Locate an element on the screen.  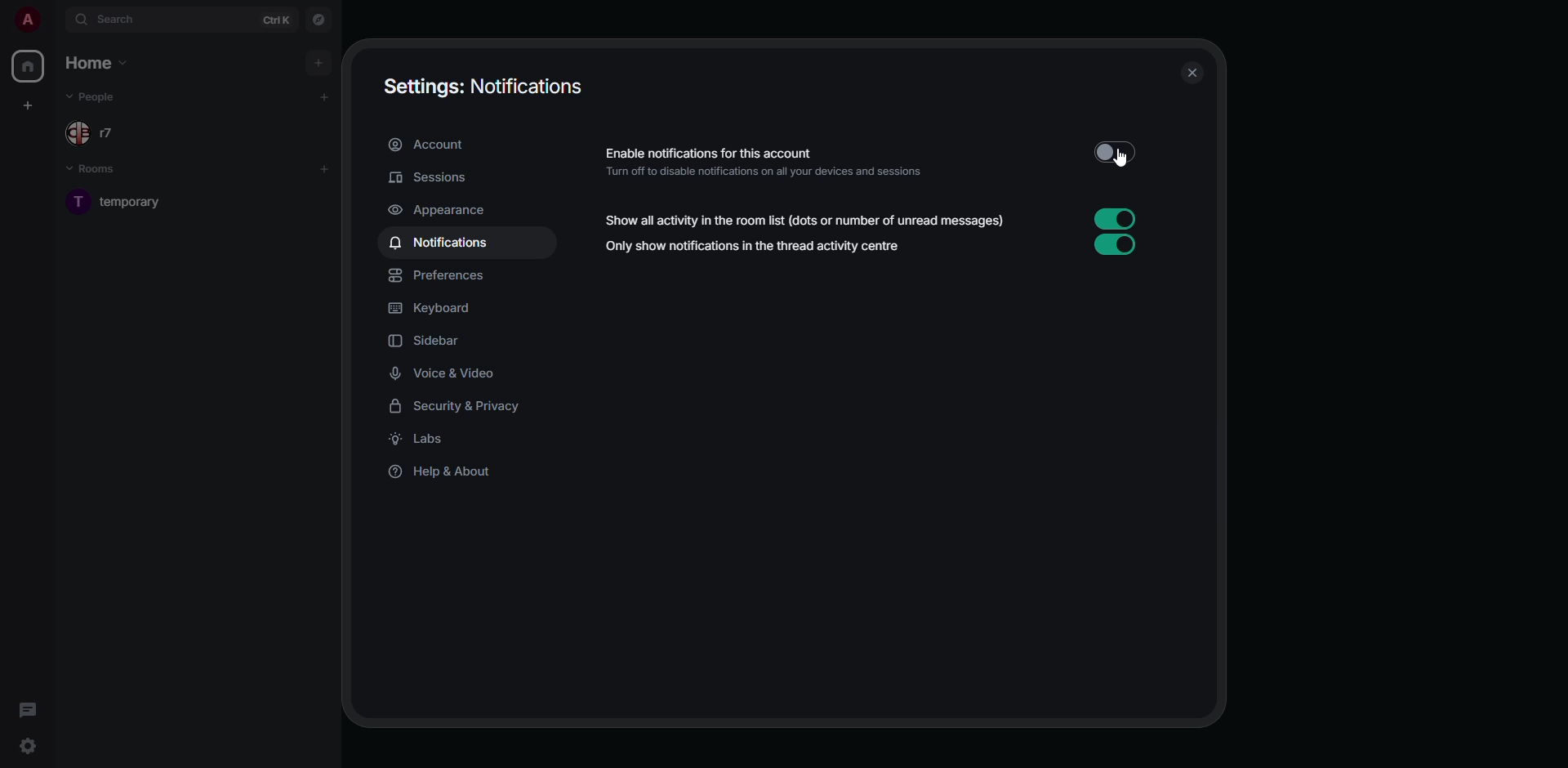
ctrl K is located at coordinates (277, 19).